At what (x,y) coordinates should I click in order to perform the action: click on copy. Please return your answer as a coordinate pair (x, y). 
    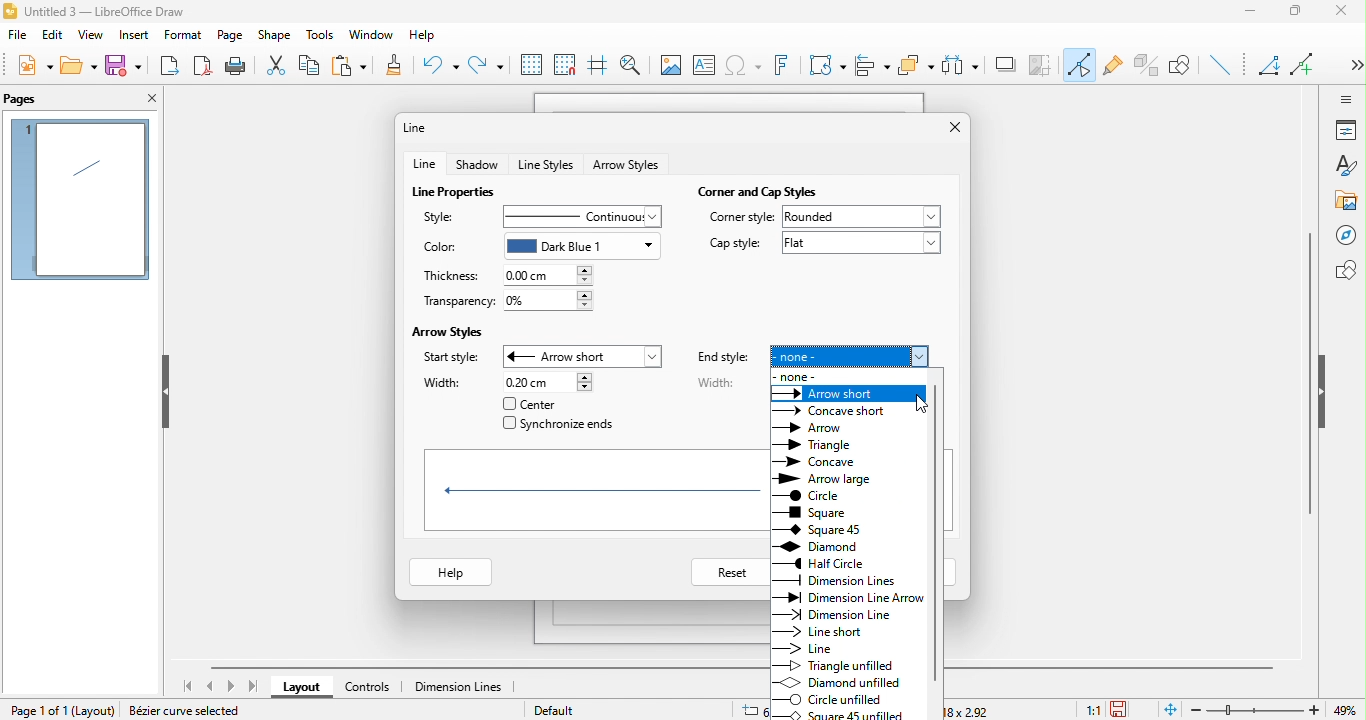
    Looking at the image, I should click on (314, 64).